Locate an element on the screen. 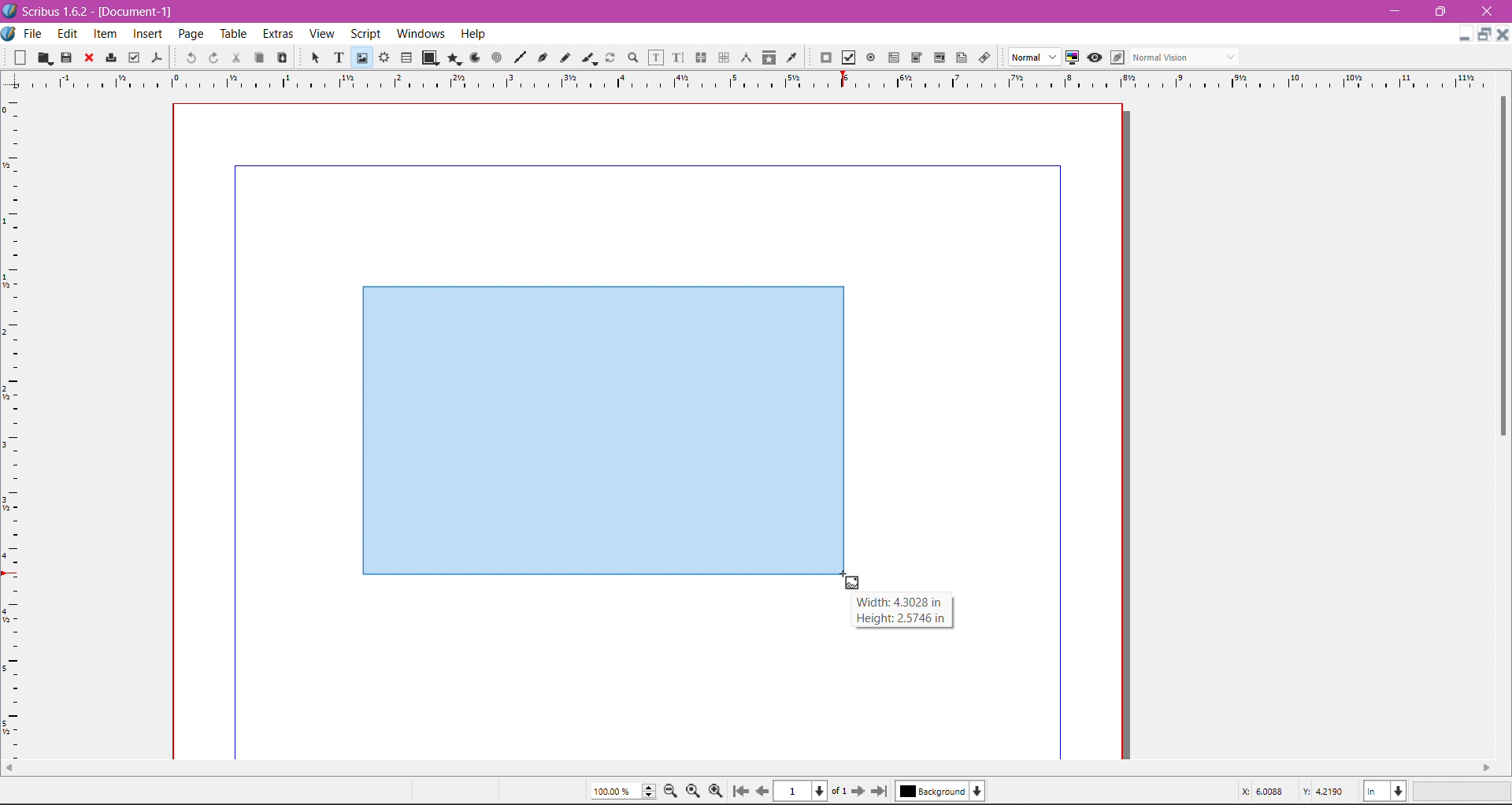 The width and height of the screenshot is (1512, 805). File is located at coordinates (34, 34).